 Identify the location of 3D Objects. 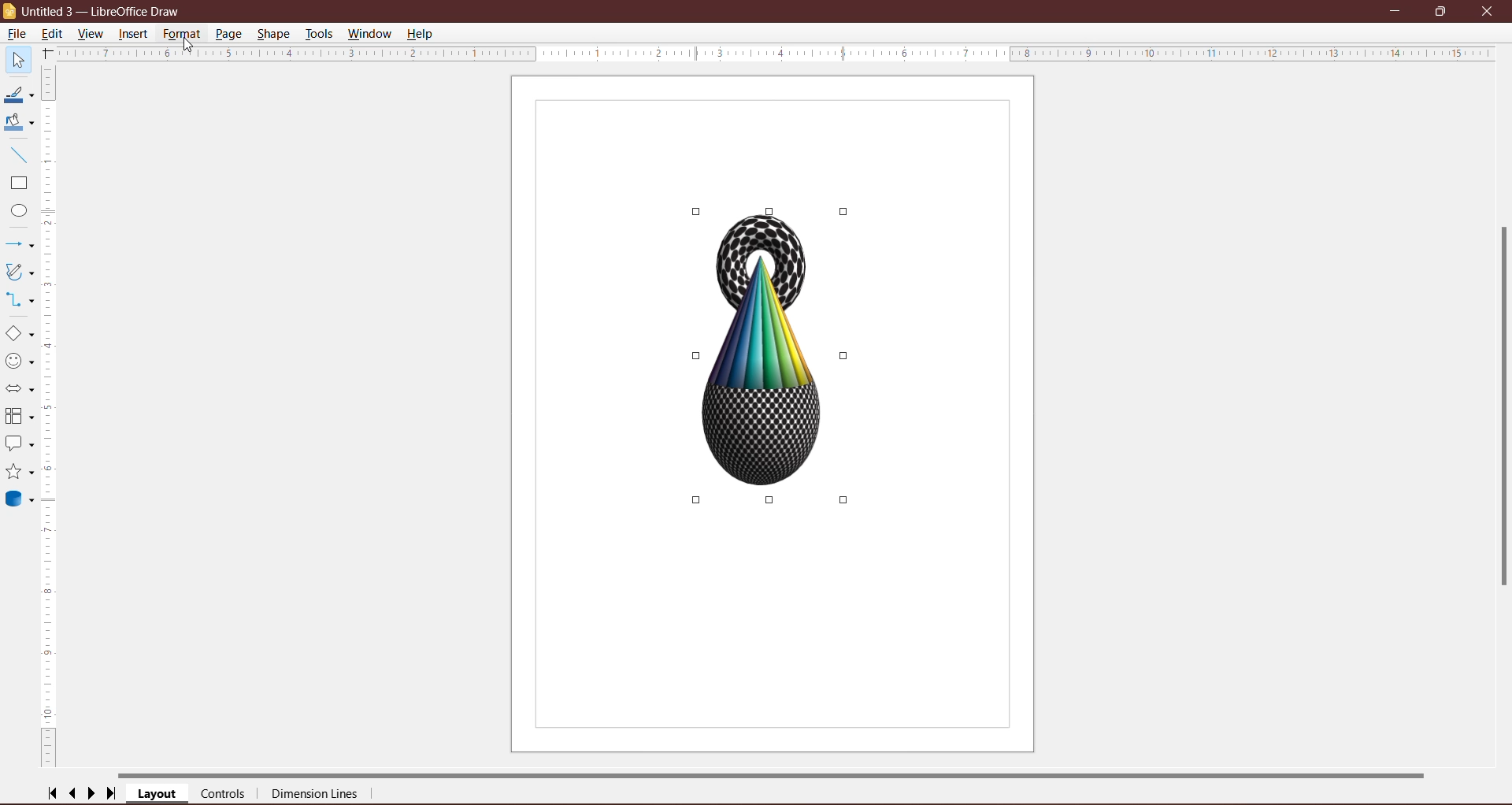
(22, 501).